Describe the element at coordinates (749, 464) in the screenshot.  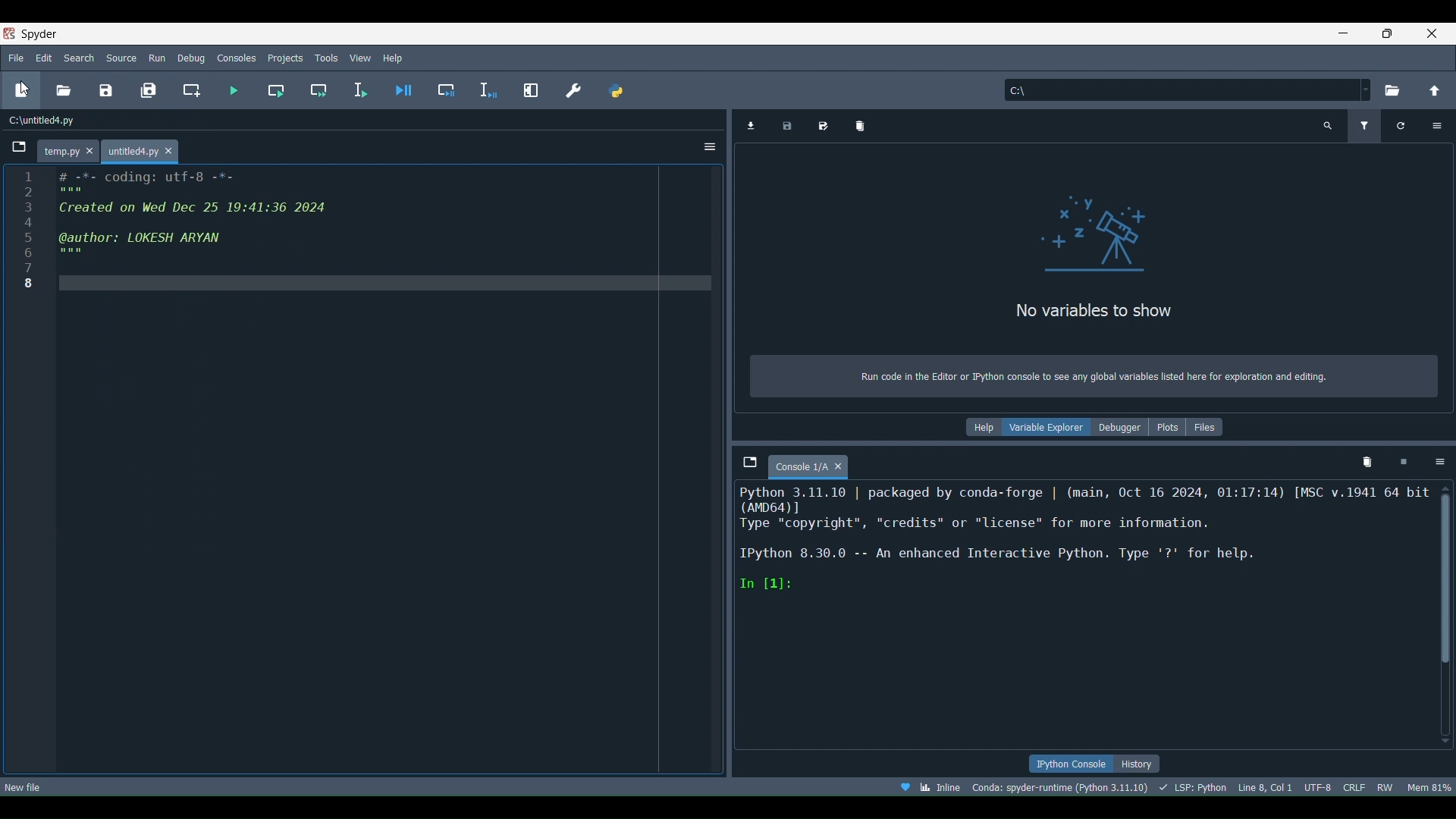
I see `Browse tabs` at that location.